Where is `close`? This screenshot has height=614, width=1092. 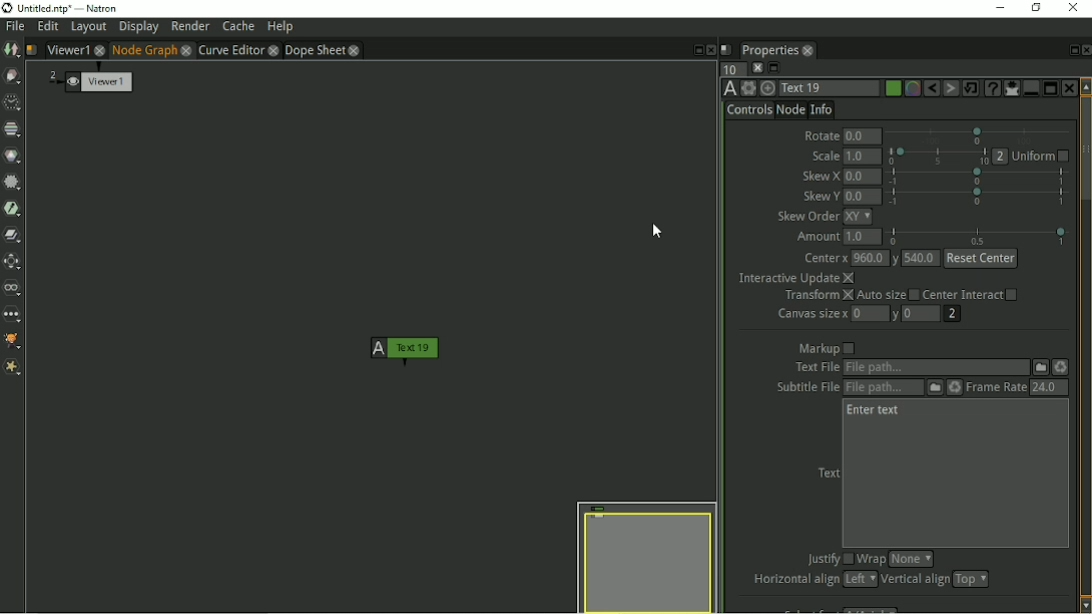 close is located at coordinates (187, 51).